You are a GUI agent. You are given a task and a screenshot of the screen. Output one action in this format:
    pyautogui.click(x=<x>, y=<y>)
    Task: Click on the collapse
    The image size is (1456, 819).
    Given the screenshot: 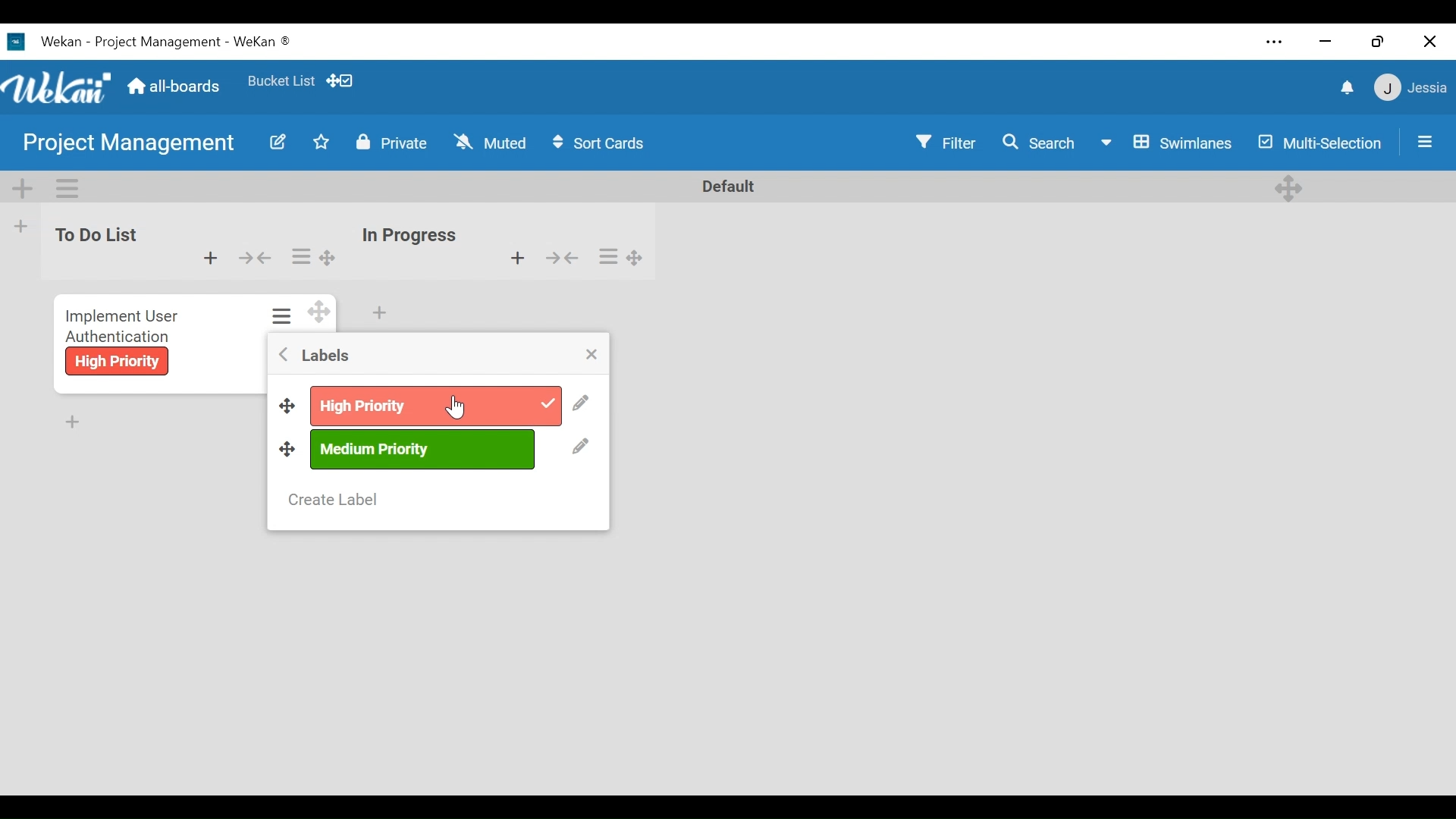 What is the action you would take?
    pyautogui.click(x=564, y=259)
    